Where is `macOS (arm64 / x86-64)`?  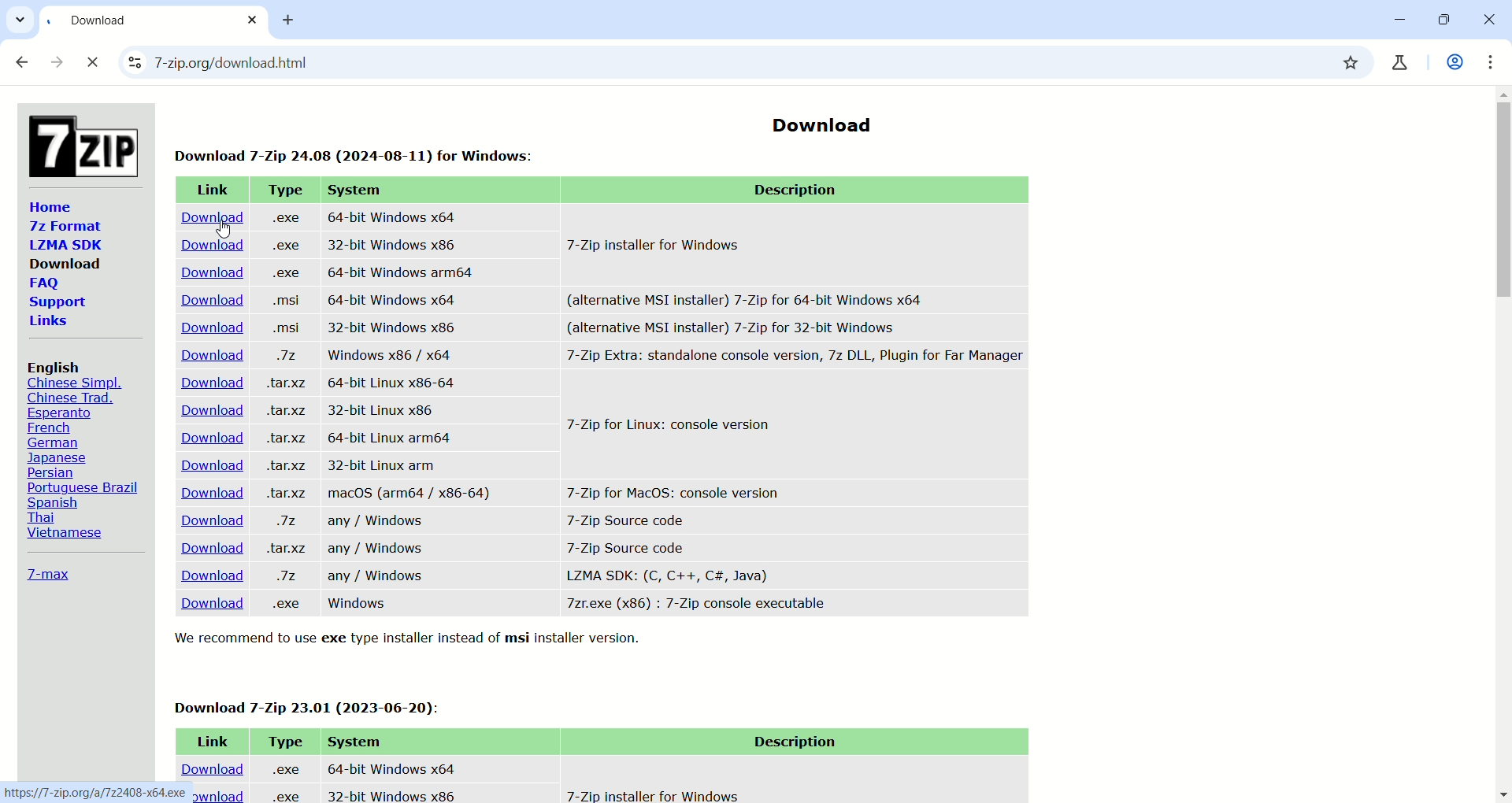 macOS (arm64 / x86-64) is located at coordinates (410, 495).